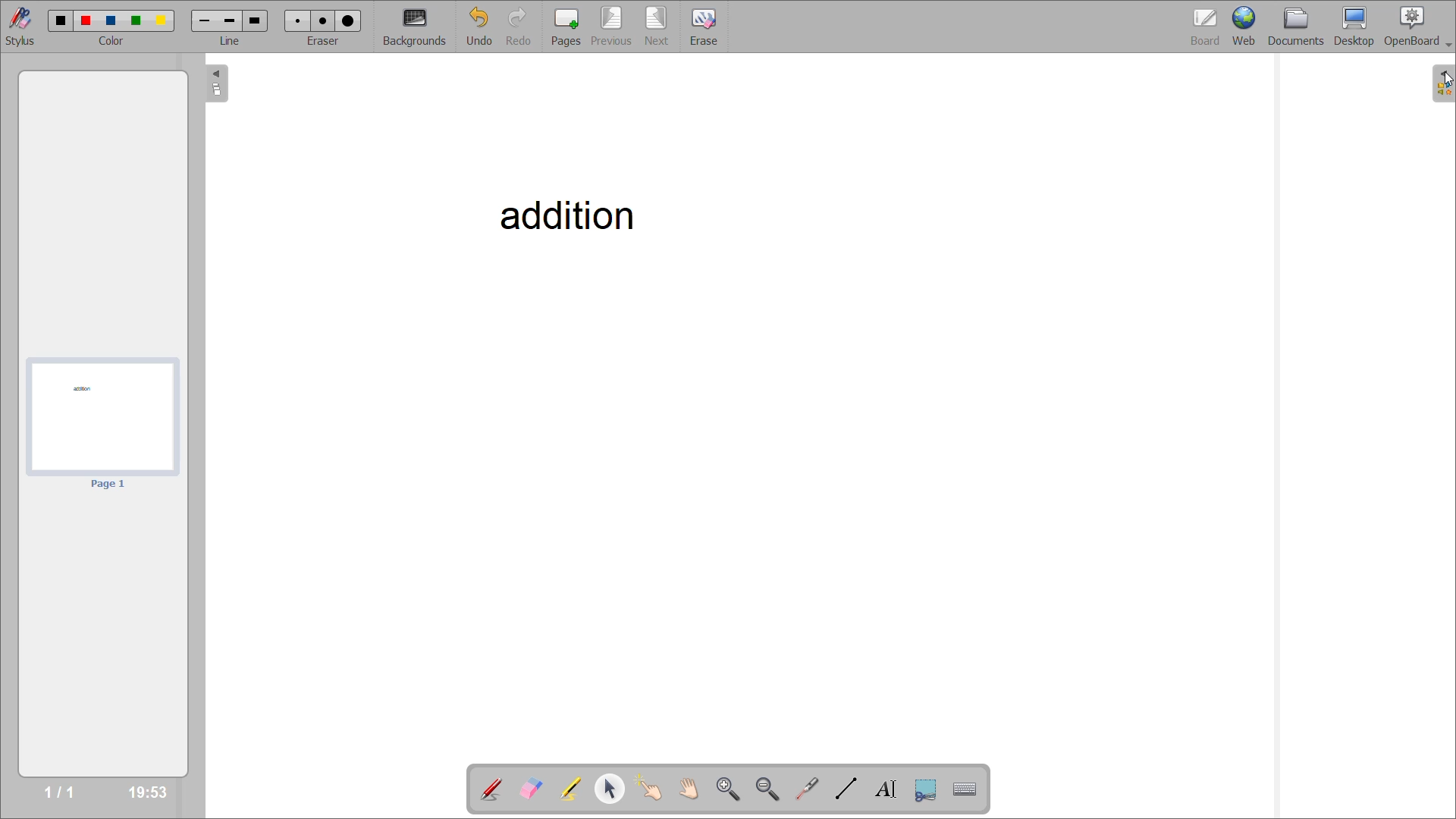 The image size is (1456, 819). Describe the element at coordinates (532, 789) in the screenshot. I see `erase annotation` at that location.